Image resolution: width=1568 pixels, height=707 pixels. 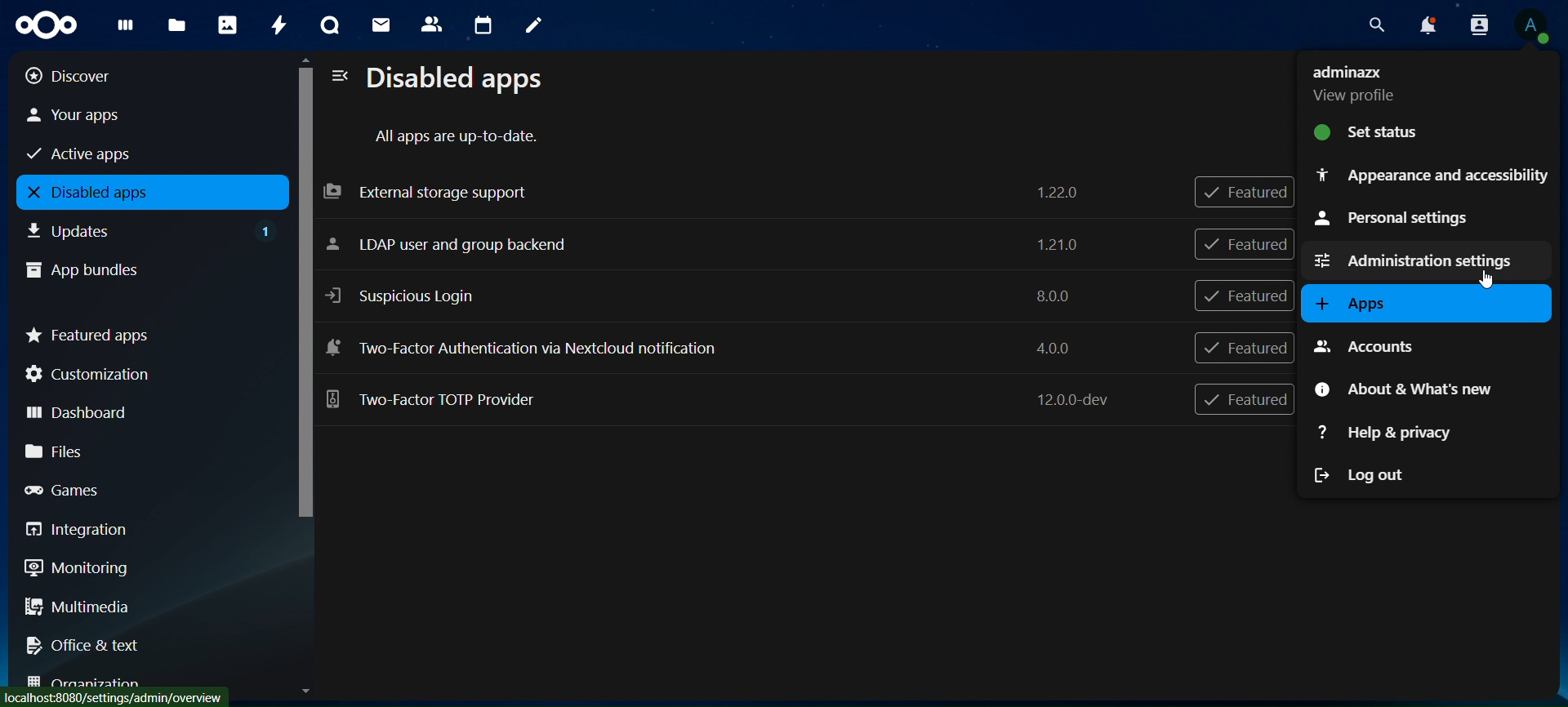 I want to click on talk, so click(x=327, y=26).